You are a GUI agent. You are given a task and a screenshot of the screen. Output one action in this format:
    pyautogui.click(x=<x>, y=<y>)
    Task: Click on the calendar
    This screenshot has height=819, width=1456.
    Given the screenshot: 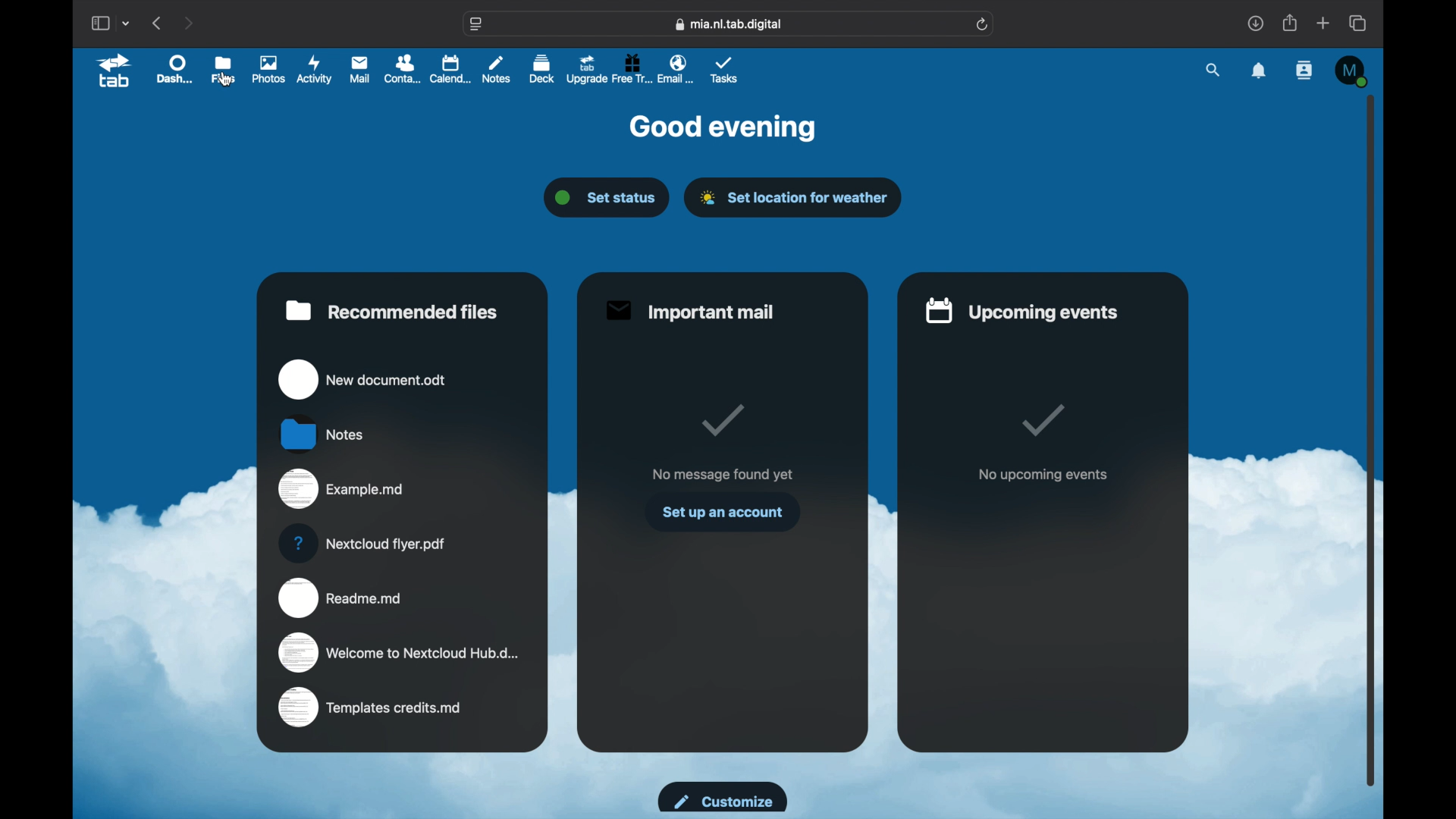 What is the action you would take?
    pyautogui.click(x=451, y=68)
    